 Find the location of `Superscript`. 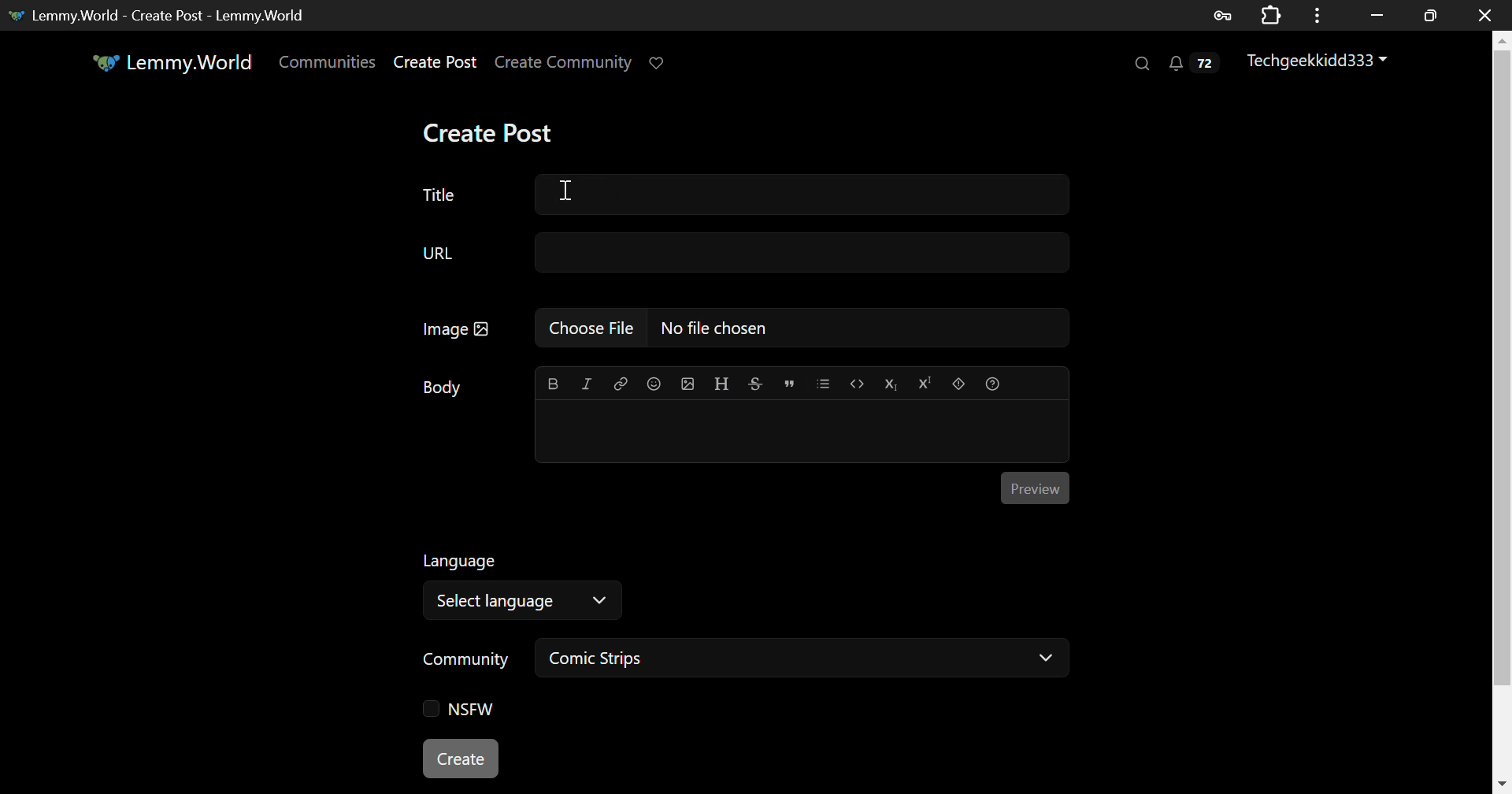

Superscript is located at coordinates (925, 385).